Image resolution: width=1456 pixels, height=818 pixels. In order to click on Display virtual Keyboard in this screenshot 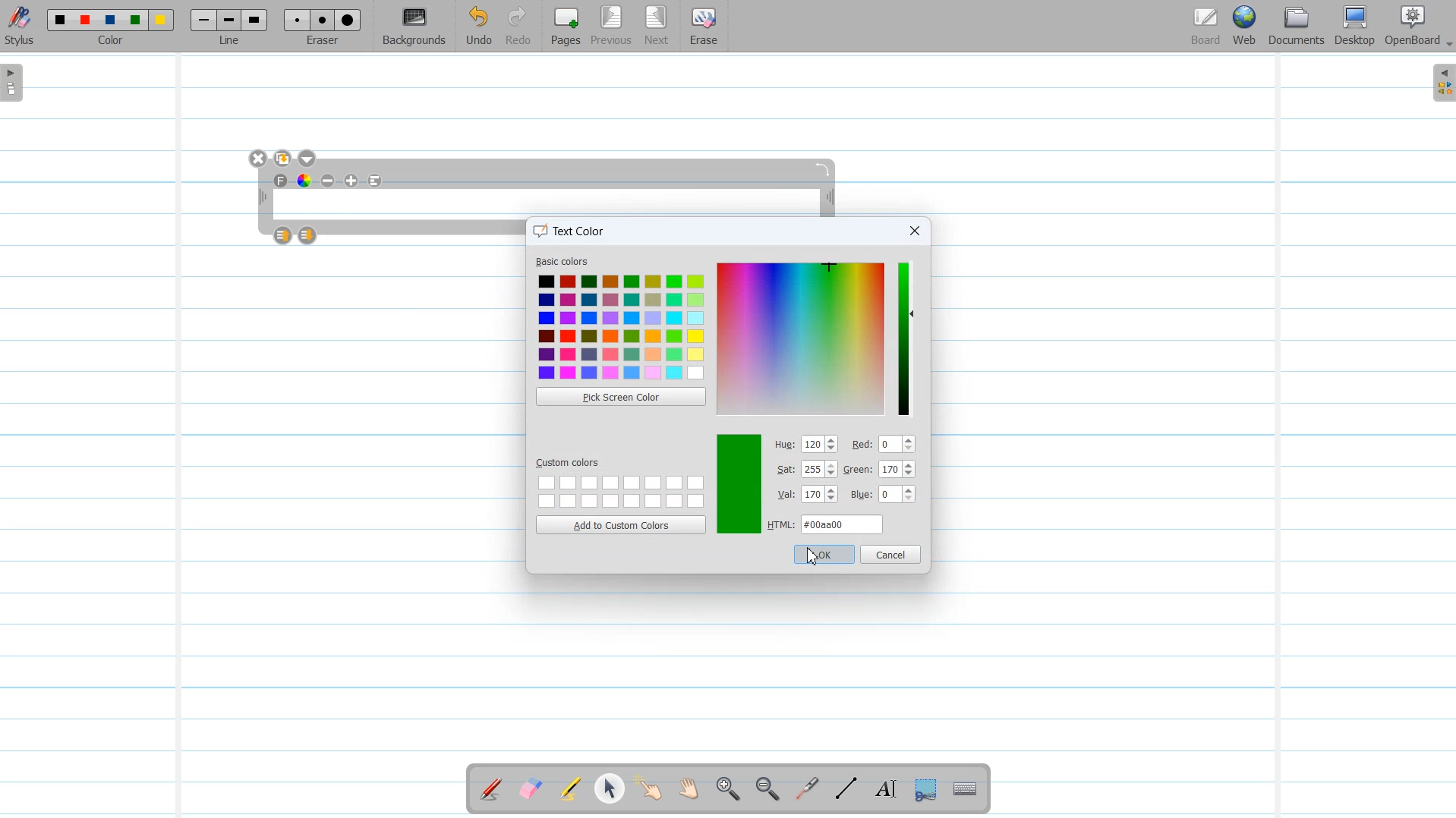, I will do `click(966, 790)`.